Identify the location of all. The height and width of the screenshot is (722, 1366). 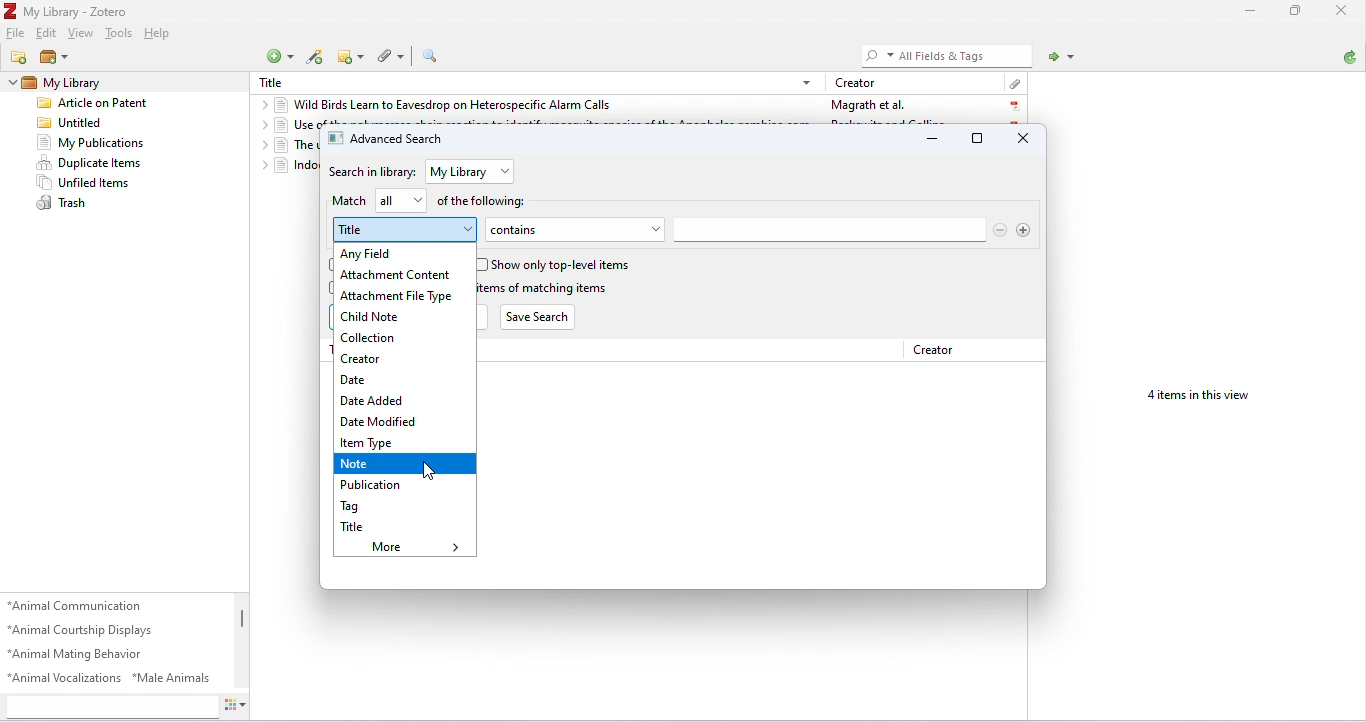
(390, 200).